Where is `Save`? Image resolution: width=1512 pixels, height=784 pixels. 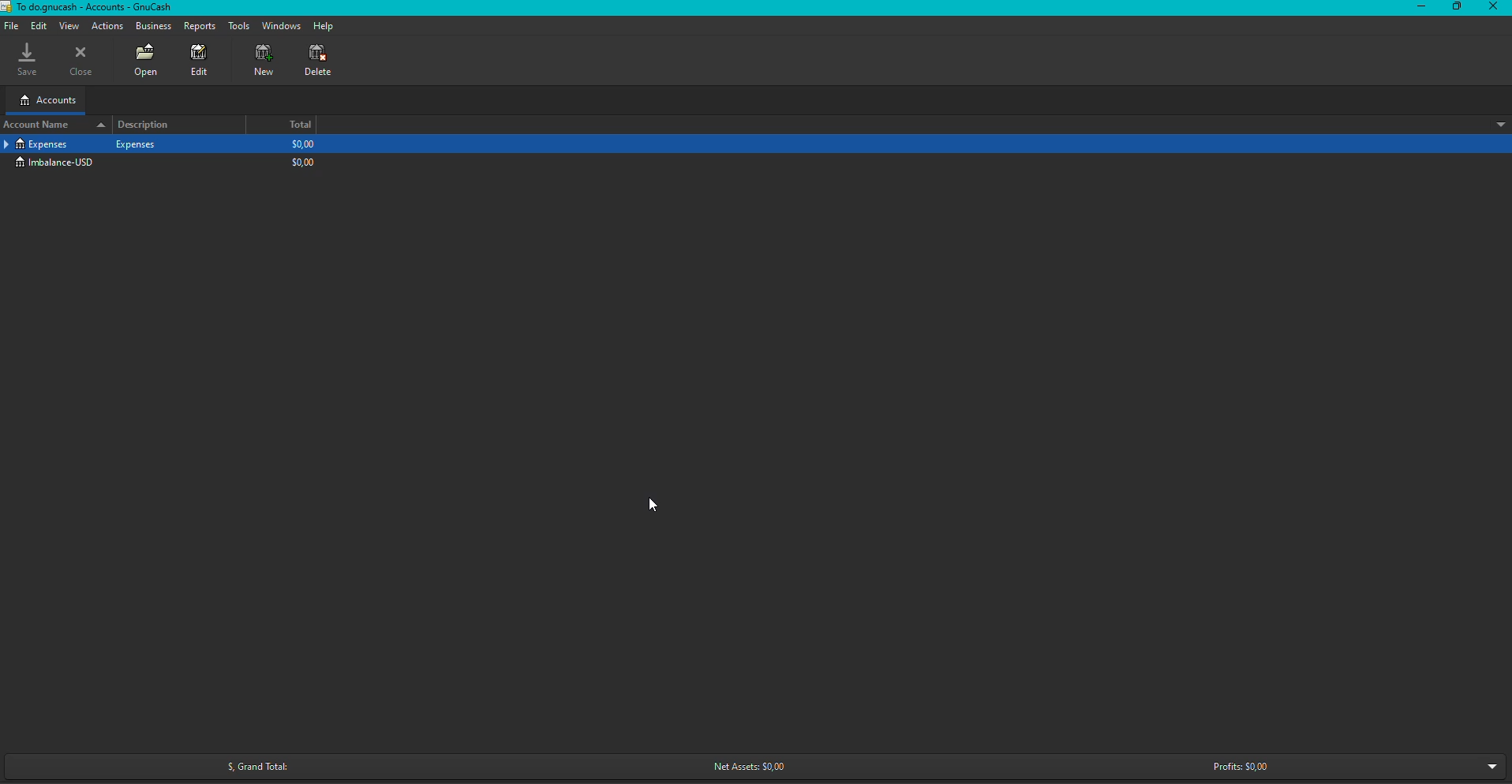
Save is located at coordinates (24, 61).